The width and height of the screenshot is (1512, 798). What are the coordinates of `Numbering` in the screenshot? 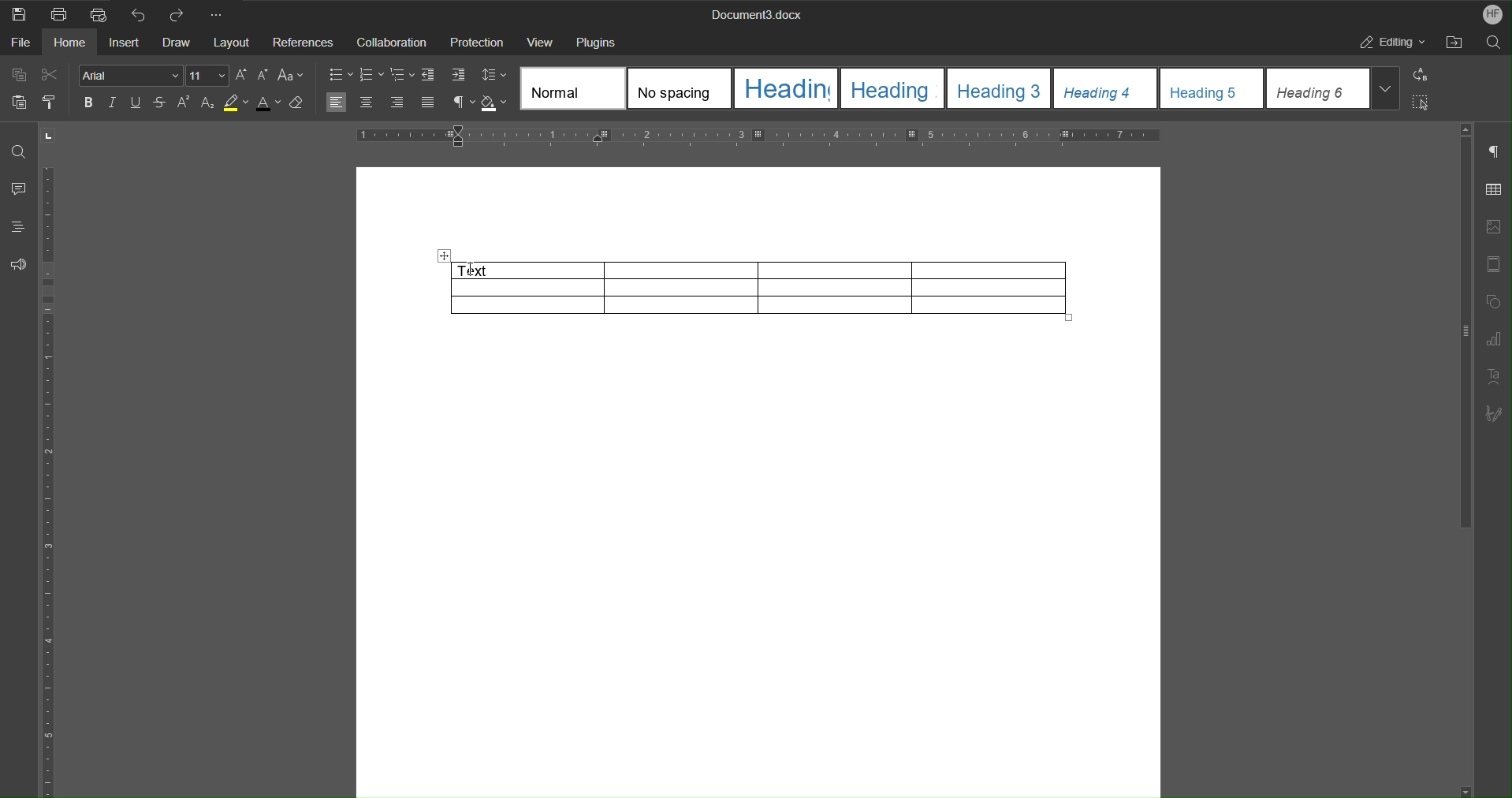 It's located at (371, 76).